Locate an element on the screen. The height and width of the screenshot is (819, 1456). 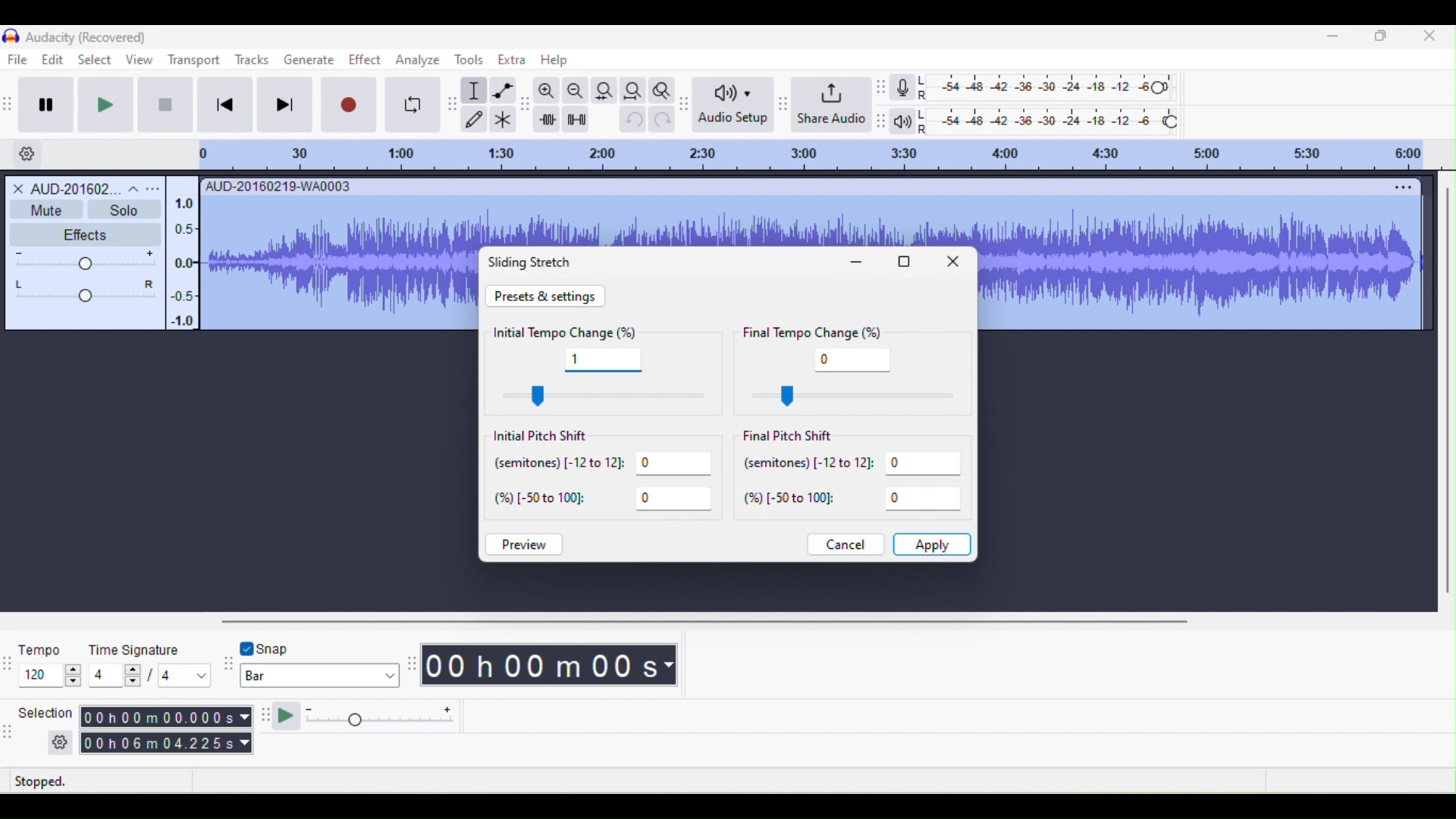
final tempo change is located at coordinates (824, 332).